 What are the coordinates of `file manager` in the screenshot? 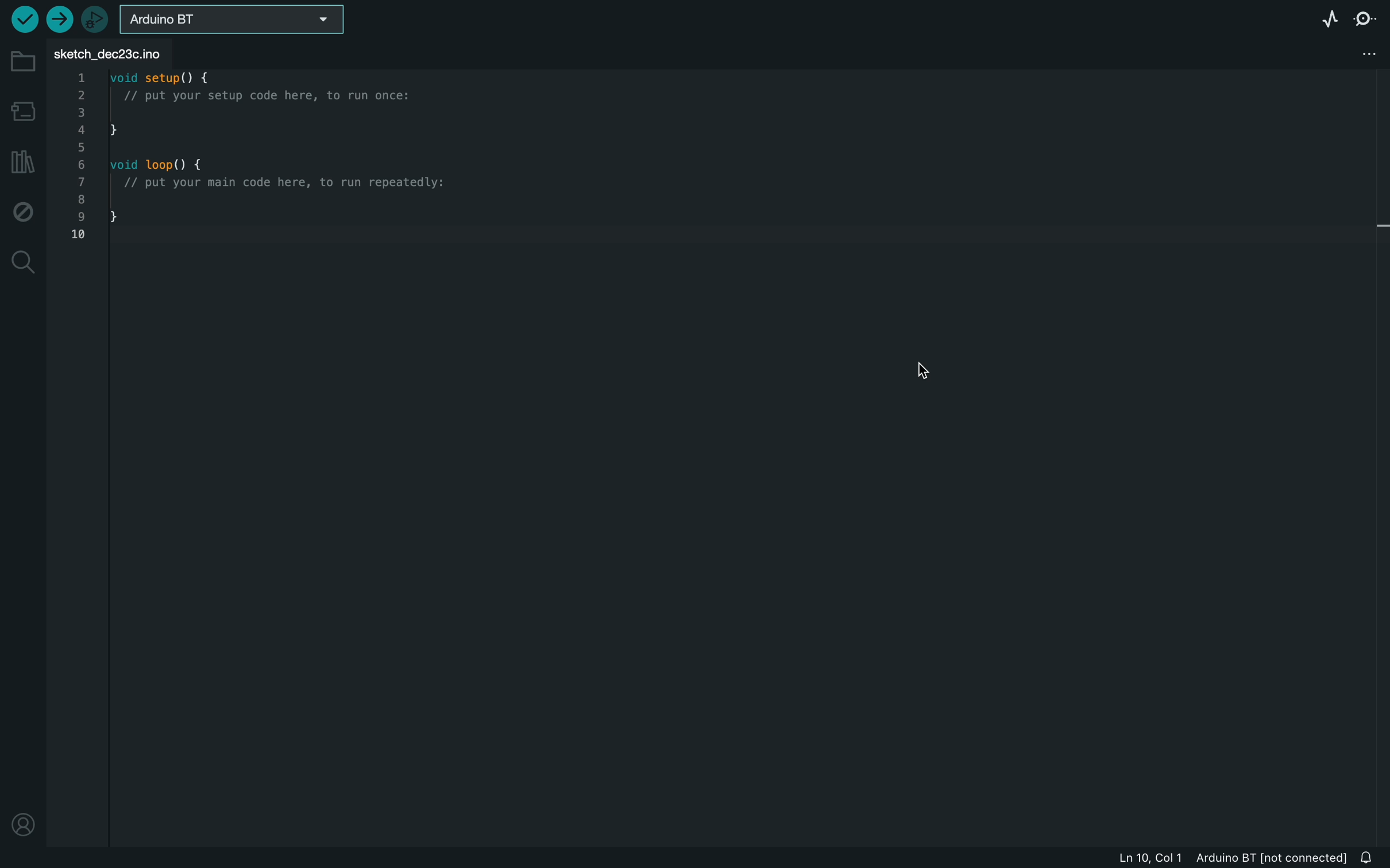 It's located at (1364, 53).